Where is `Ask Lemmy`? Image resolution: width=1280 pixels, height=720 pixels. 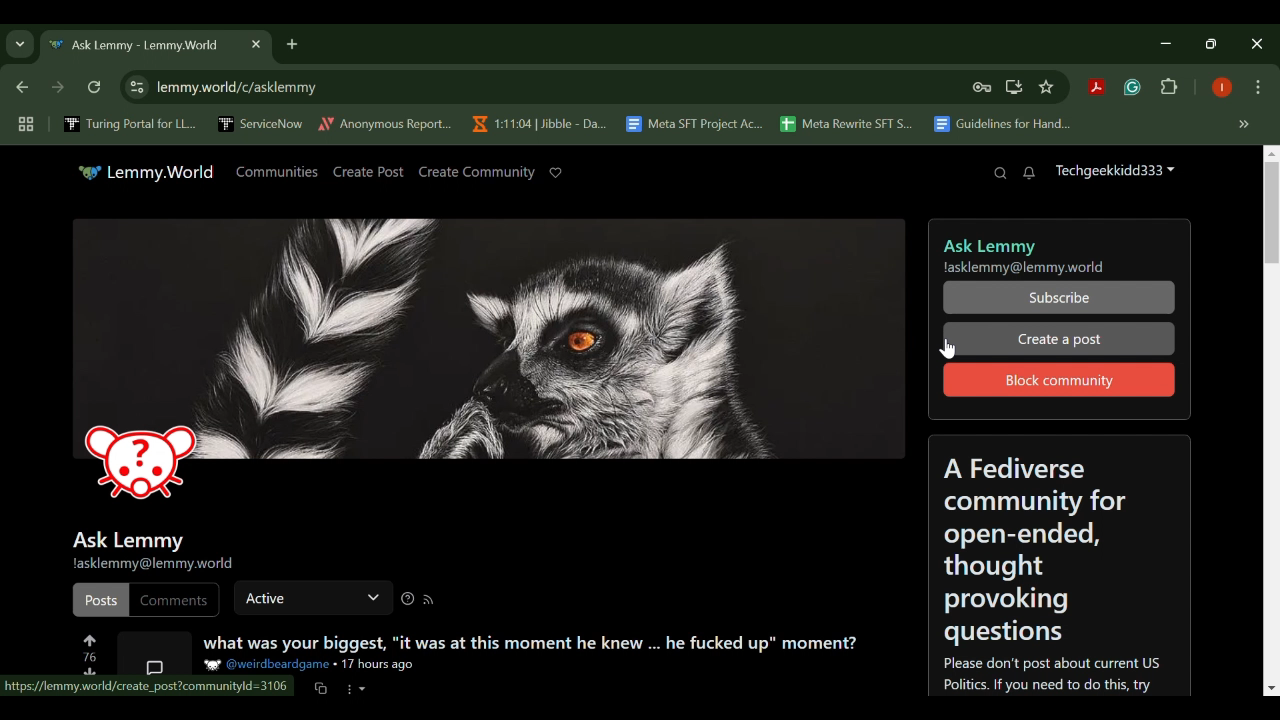 Ask Lemmy is located at coordinates (127, 537).